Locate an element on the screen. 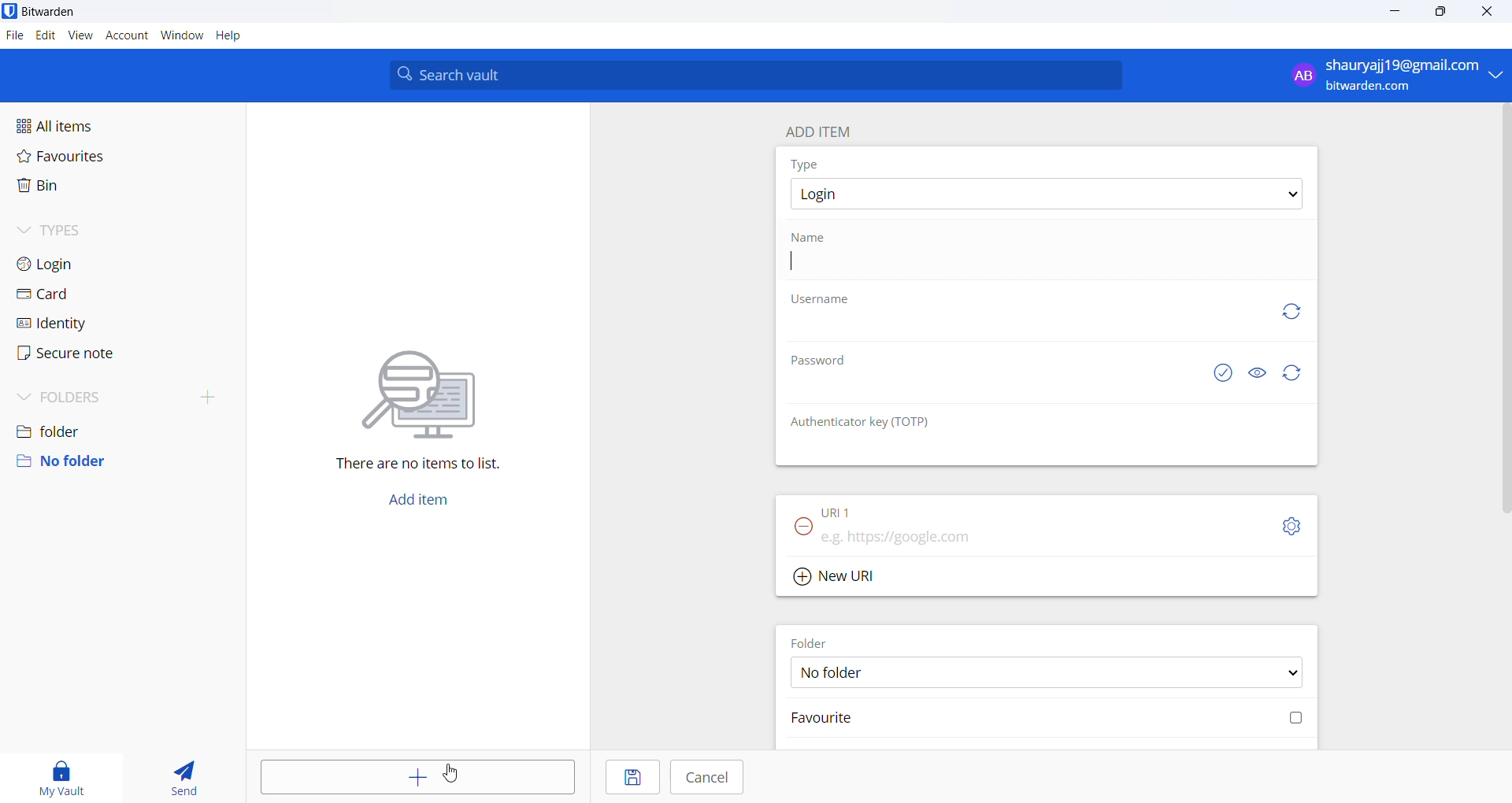 Image resolution: width=1512 pixels, height=803 pixels. add button is located at coordinates (417, 502).